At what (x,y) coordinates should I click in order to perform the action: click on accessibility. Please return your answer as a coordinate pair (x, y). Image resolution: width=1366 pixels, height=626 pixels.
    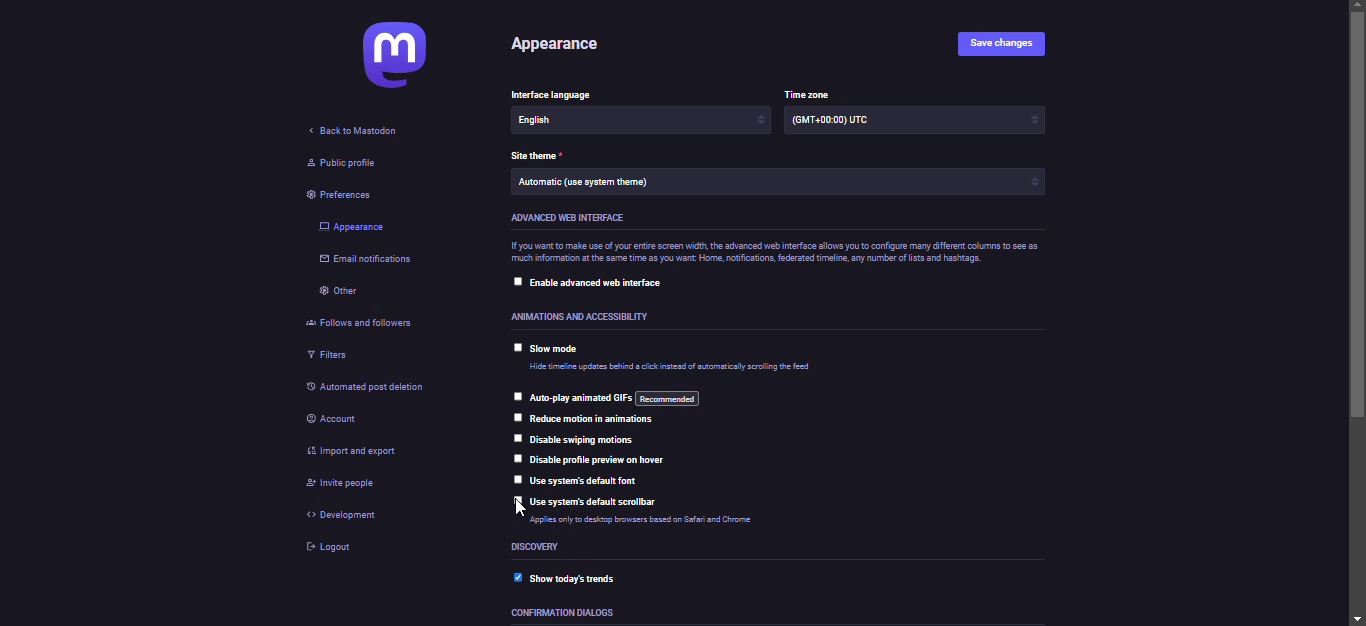
    Looking at the image, I should click on (572, 315).